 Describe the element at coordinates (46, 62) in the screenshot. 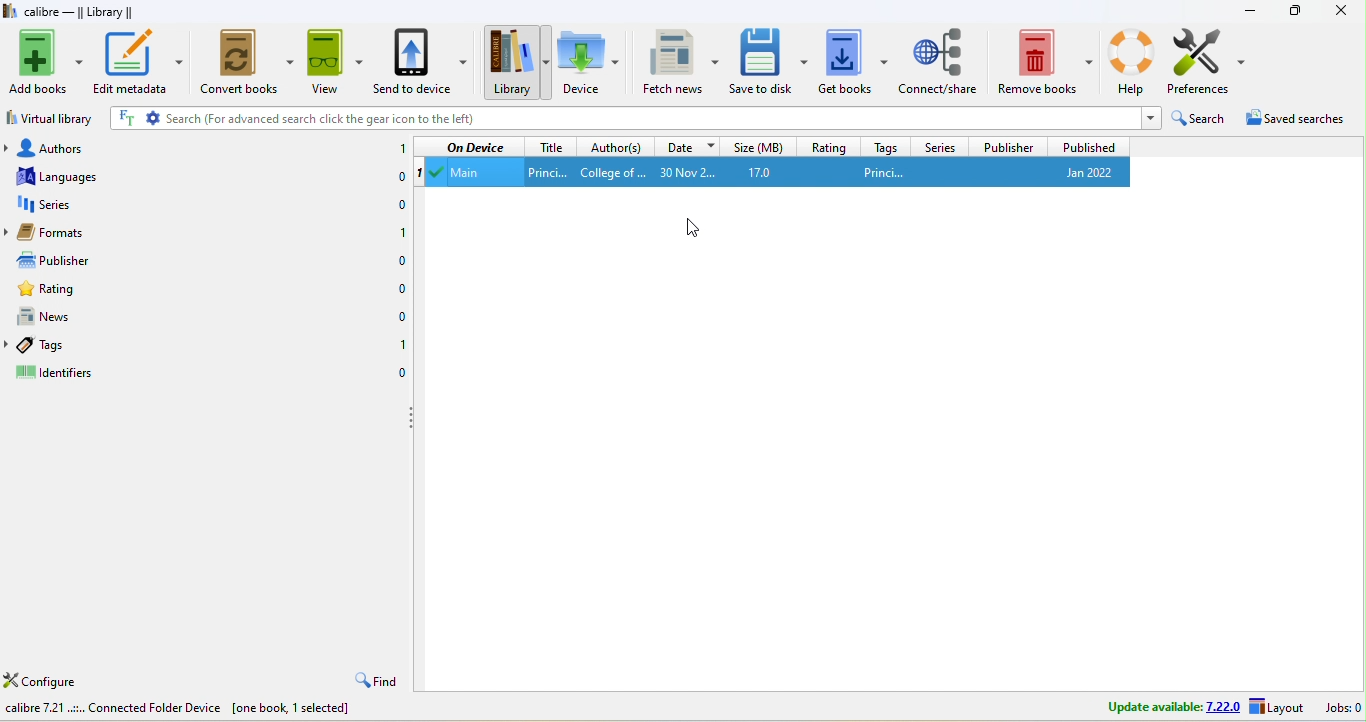

I see `add books` at that location.